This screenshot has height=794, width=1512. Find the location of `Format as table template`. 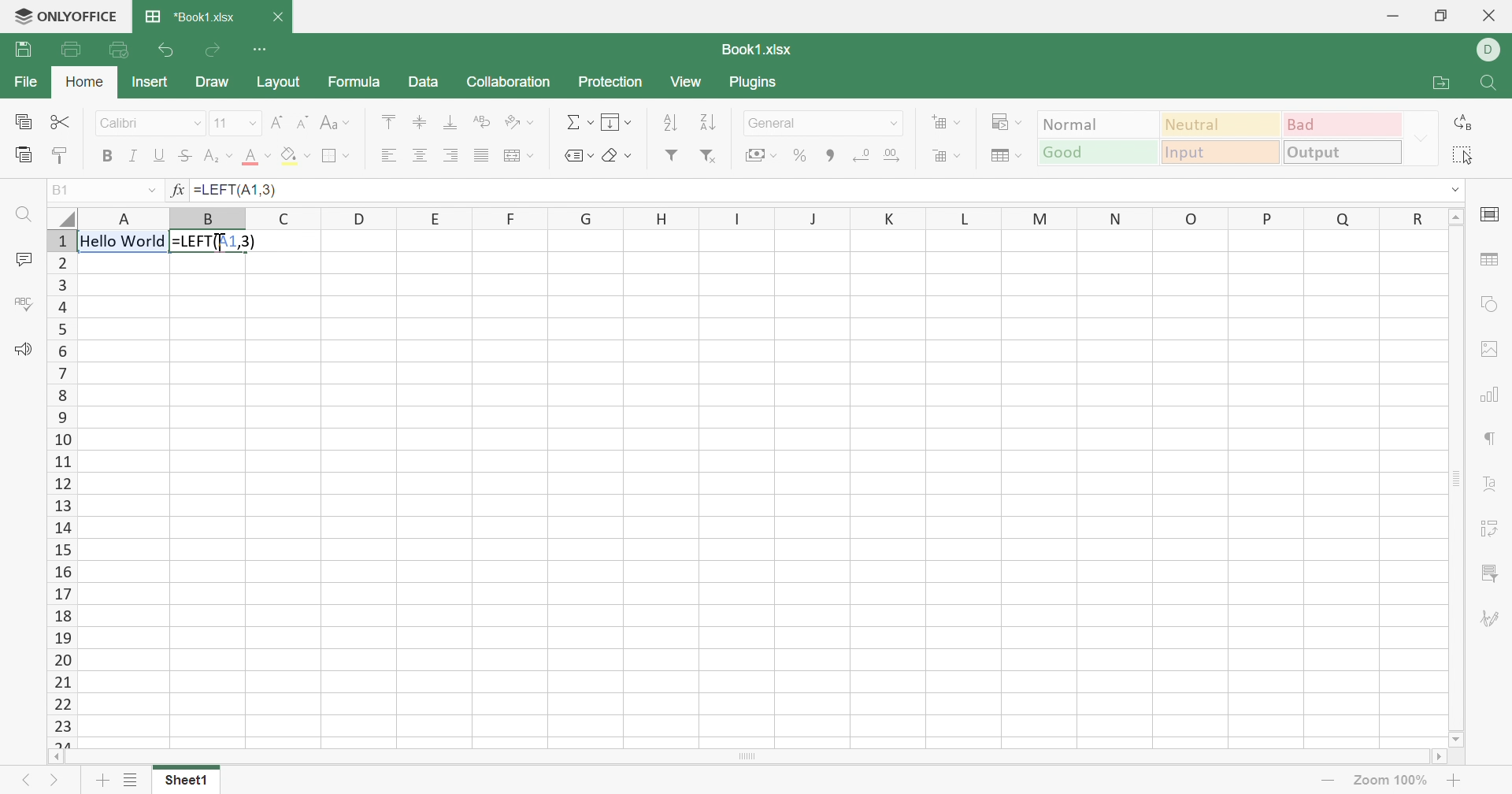

Format as table template is located at coordinates (1006, 157).